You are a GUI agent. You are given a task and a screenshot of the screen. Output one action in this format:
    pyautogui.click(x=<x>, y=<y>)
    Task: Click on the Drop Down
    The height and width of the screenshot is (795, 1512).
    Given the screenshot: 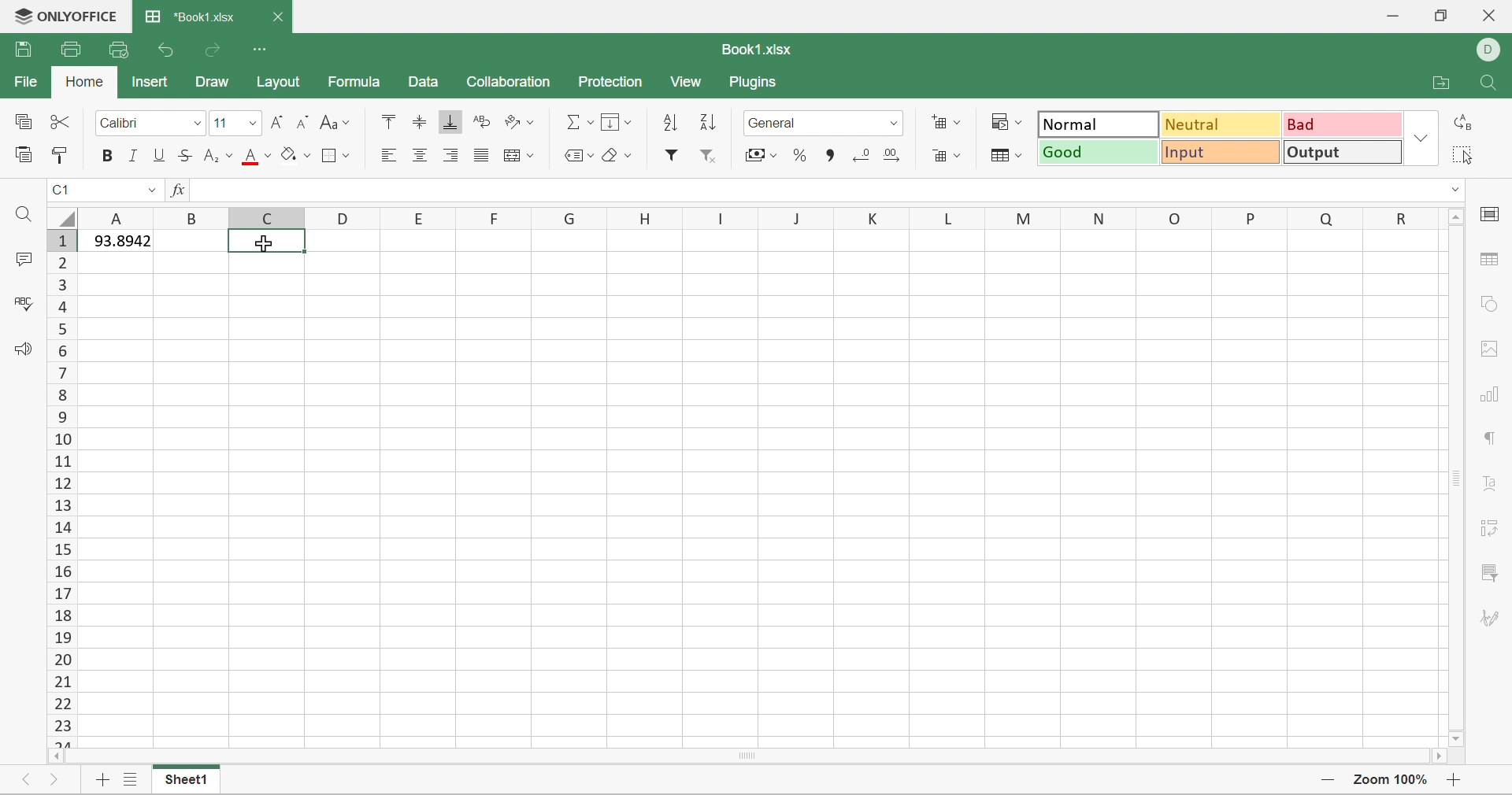 What is the action you would take?
    pyautogui.click(x=152, y=189)
    